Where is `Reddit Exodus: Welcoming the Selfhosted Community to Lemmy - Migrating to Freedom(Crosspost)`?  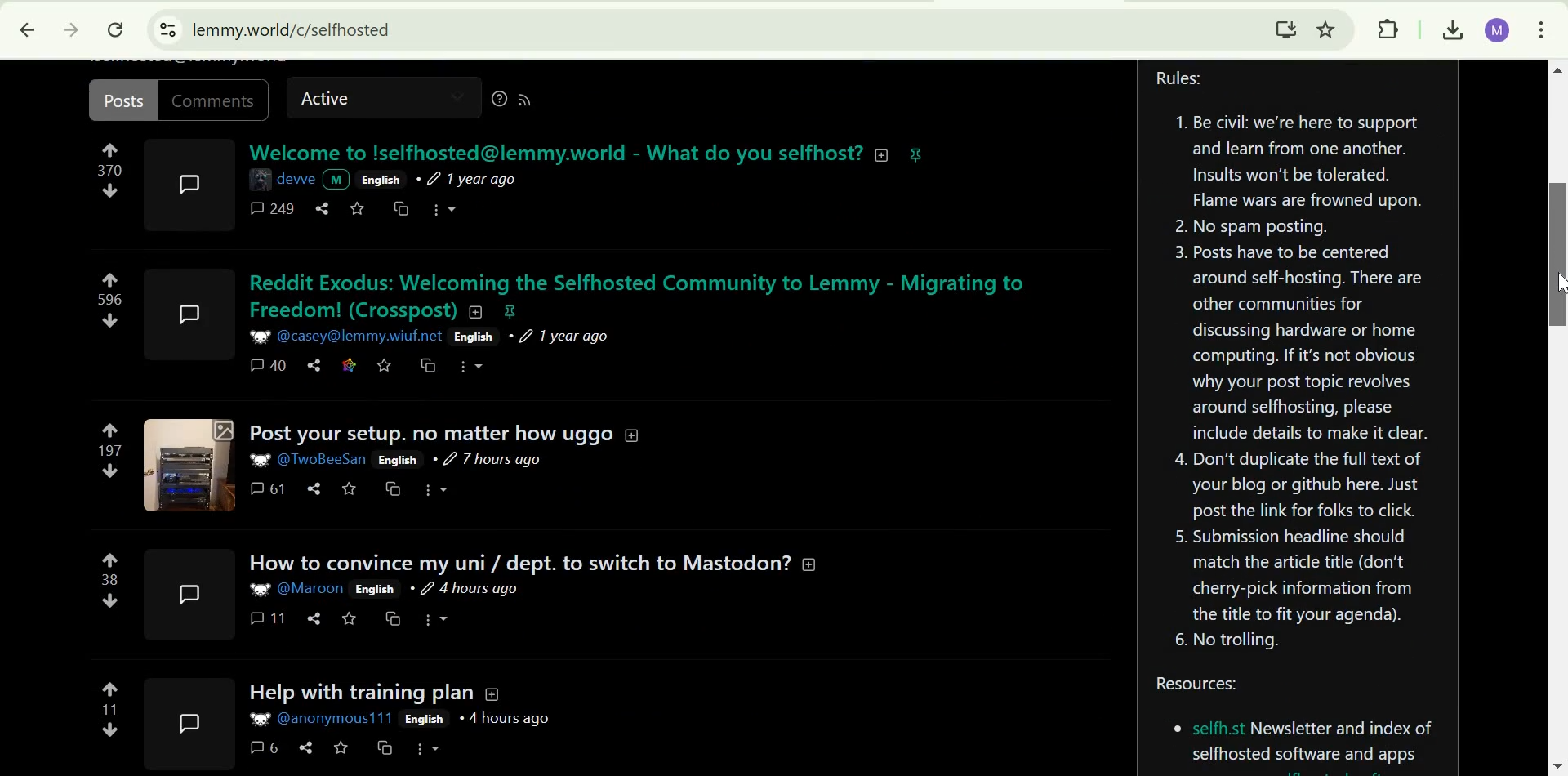
Reddit Exodus: Welcoming the Selfhosted Community to Lemmy - Migrating to Freedom(Crosspost) is located at coordinates (645, 295).